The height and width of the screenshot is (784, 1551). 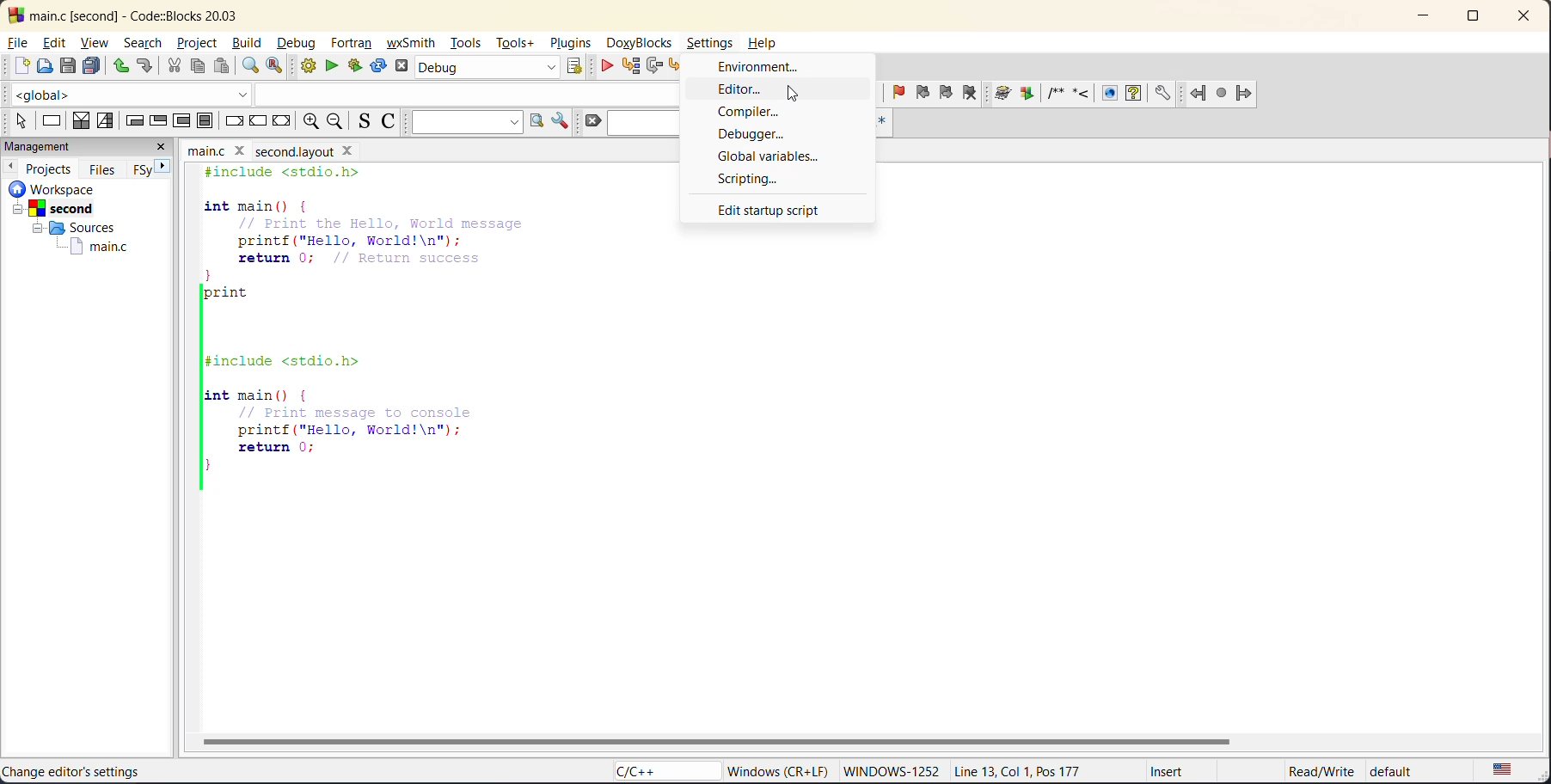 What do you see at coordinates (70, 147) in the screenshot?
I see `management` at bounding box center [70, 147].